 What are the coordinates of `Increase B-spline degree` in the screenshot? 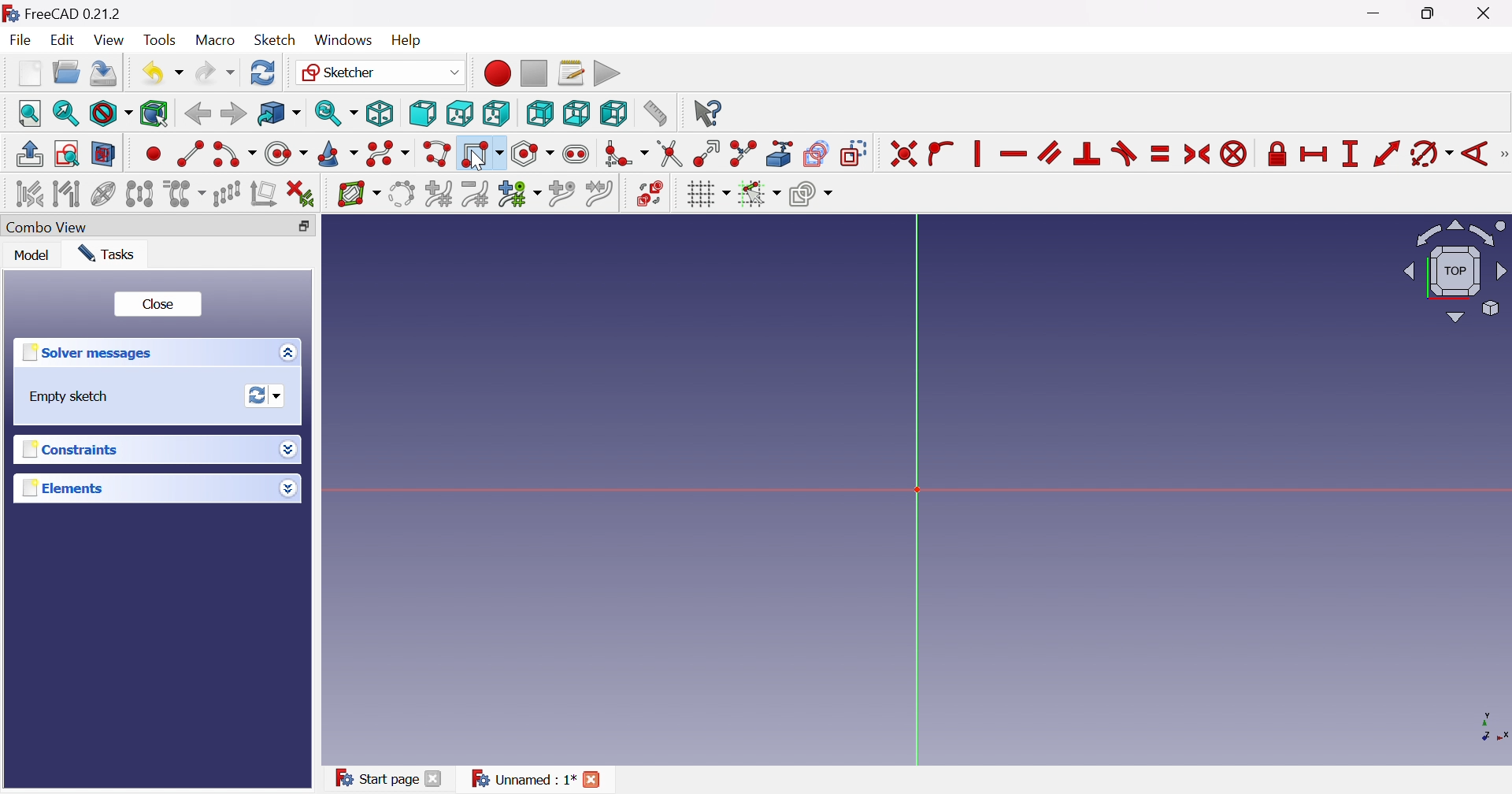 It's located at (439, 192).